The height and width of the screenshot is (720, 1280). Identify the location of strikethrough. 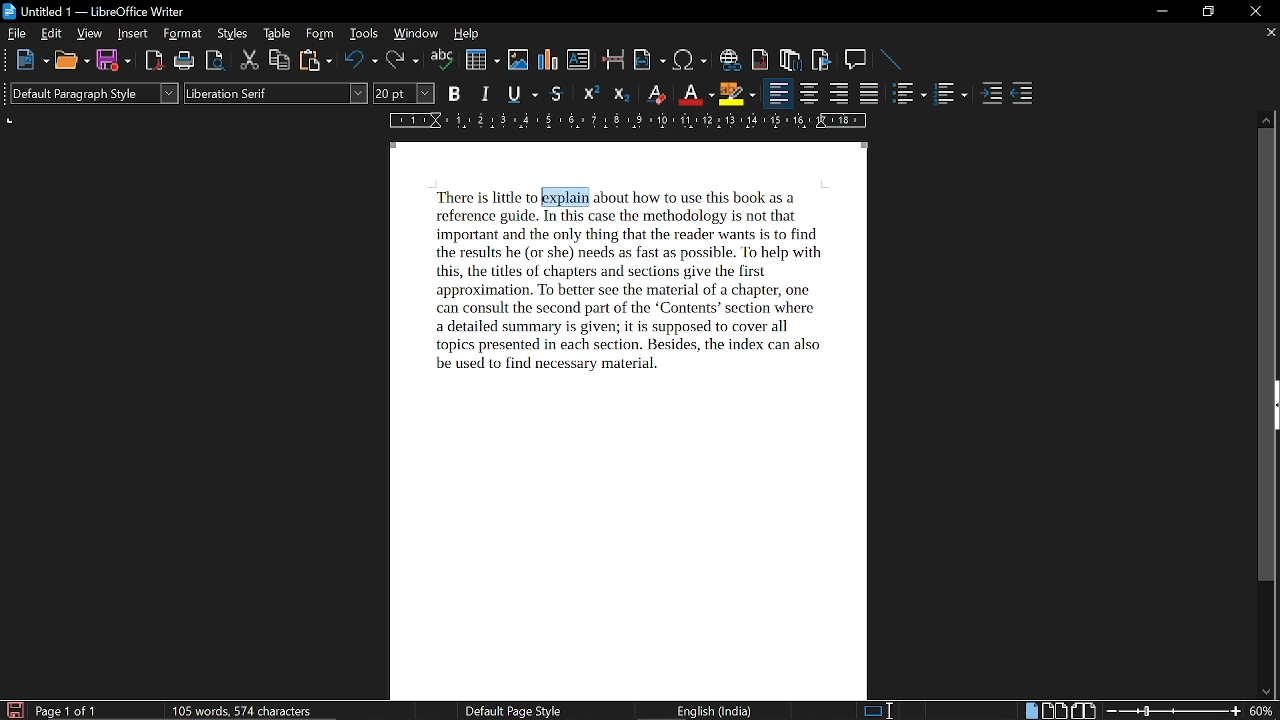
(558, 95).